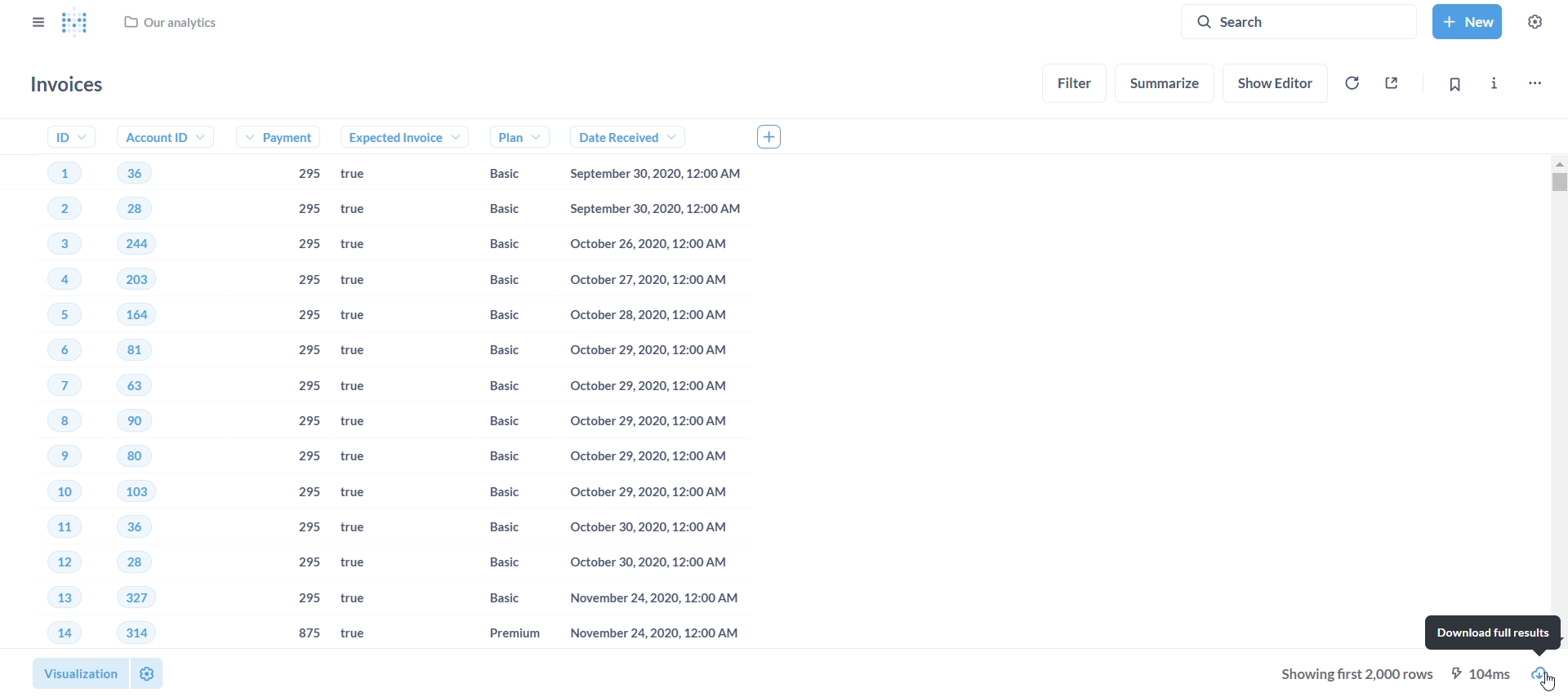 This screenshot has width=1568, height=697. What do you see at coordinates (497, 420) in the screenshot?
I see `Basic` at bounding box center [497, 420].